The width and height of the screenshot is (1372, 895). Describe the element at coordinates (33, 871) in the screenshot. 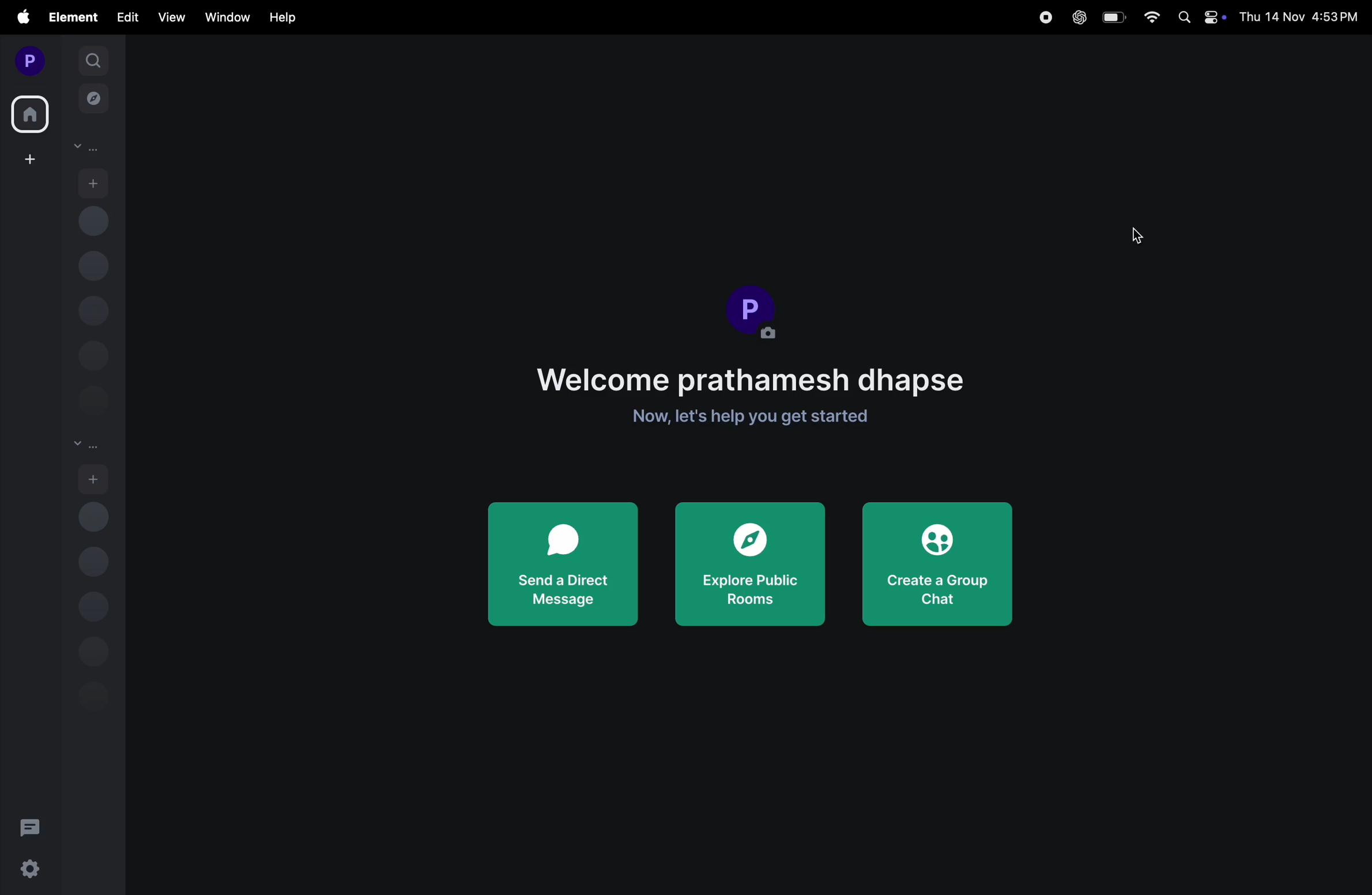

I see `settings` at that location.